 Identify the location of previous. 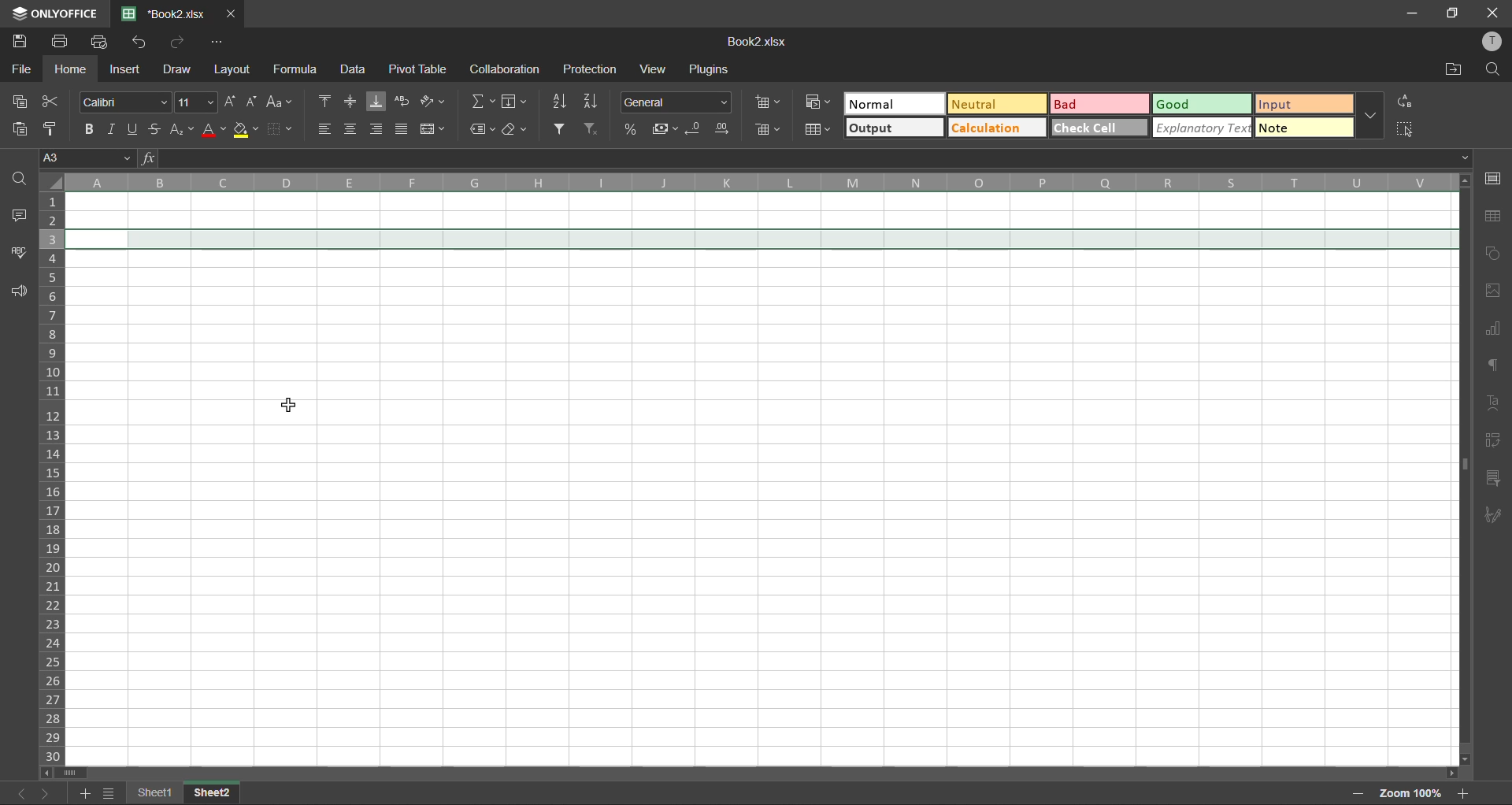
(18, 792).